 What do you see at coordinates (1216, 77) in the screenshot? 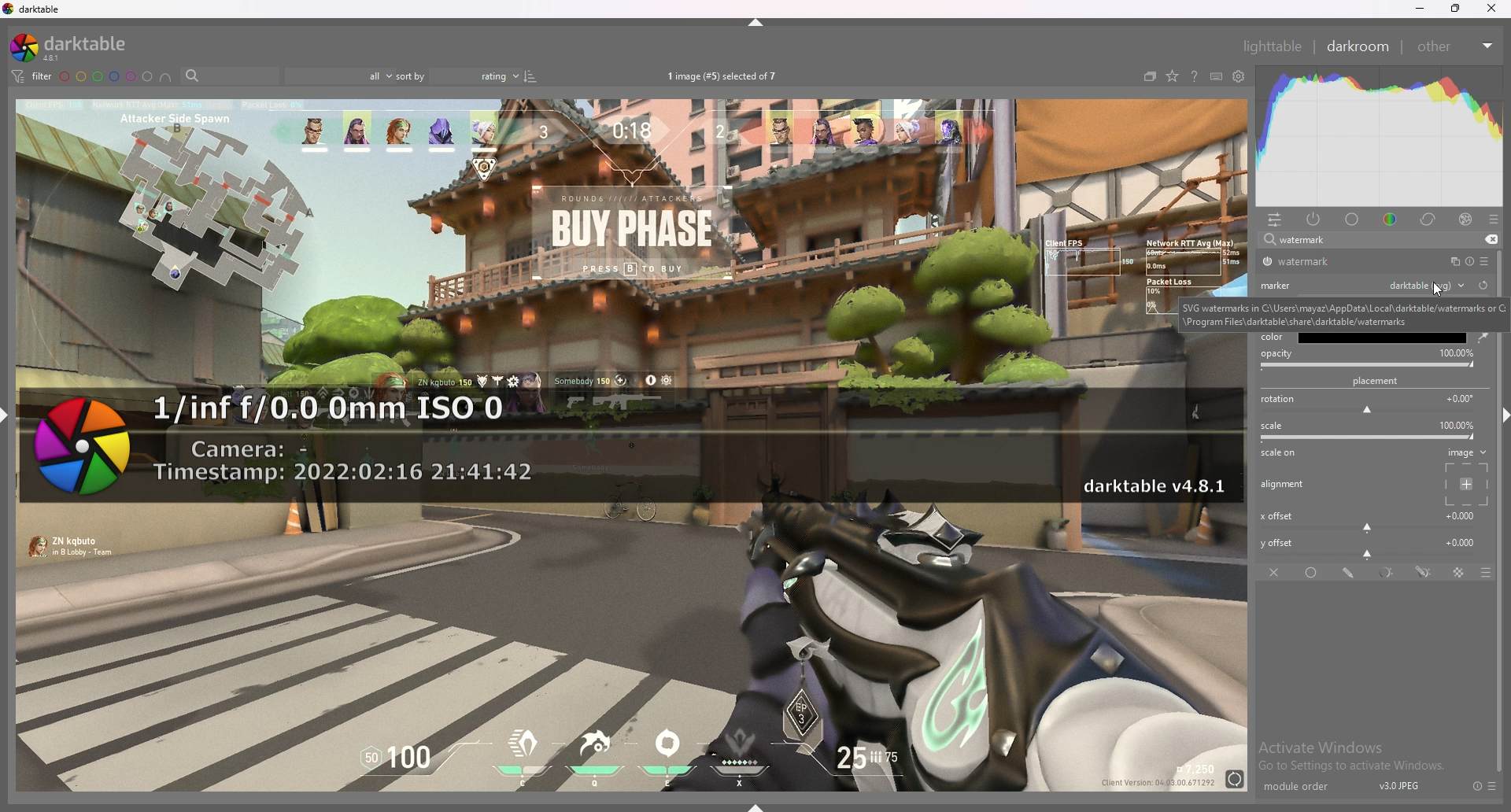
I see `keyboard shortcut` at bounding box center [1216, 77].